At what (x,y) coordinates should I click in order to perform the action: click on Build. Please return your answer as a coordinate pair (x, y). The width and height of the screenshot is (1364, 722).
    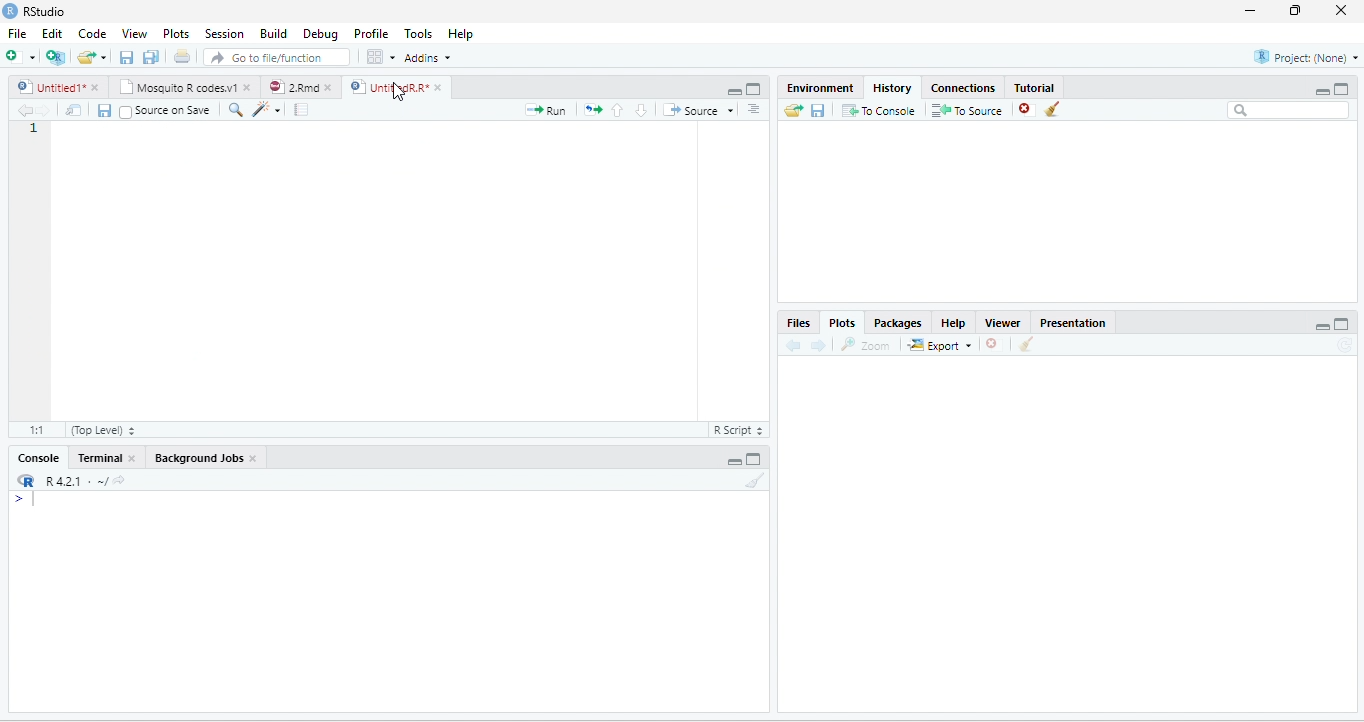
    Looking at the image, I should click on (272, 32).